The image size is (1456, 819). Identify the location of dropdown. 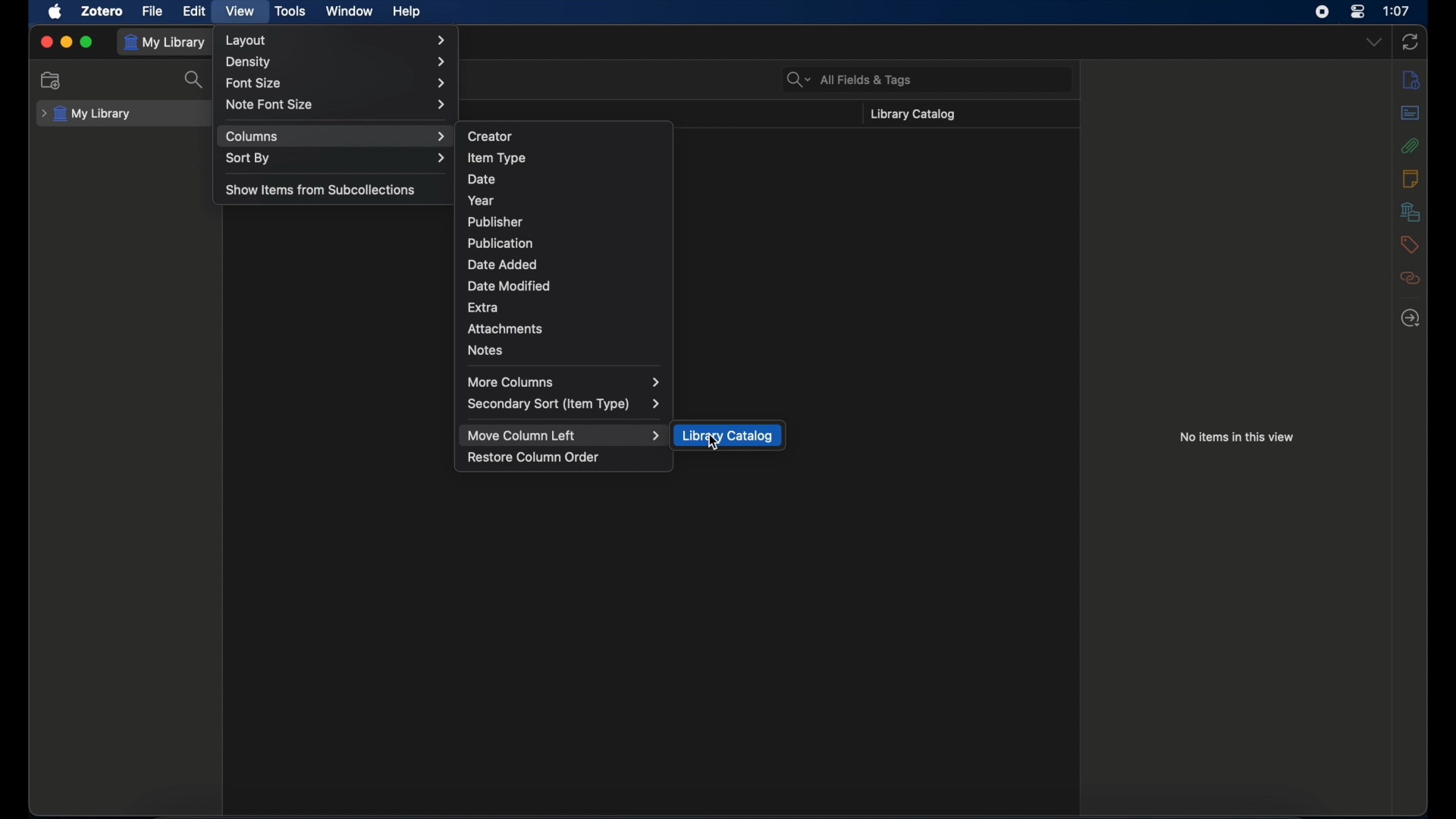
(1375, 42).